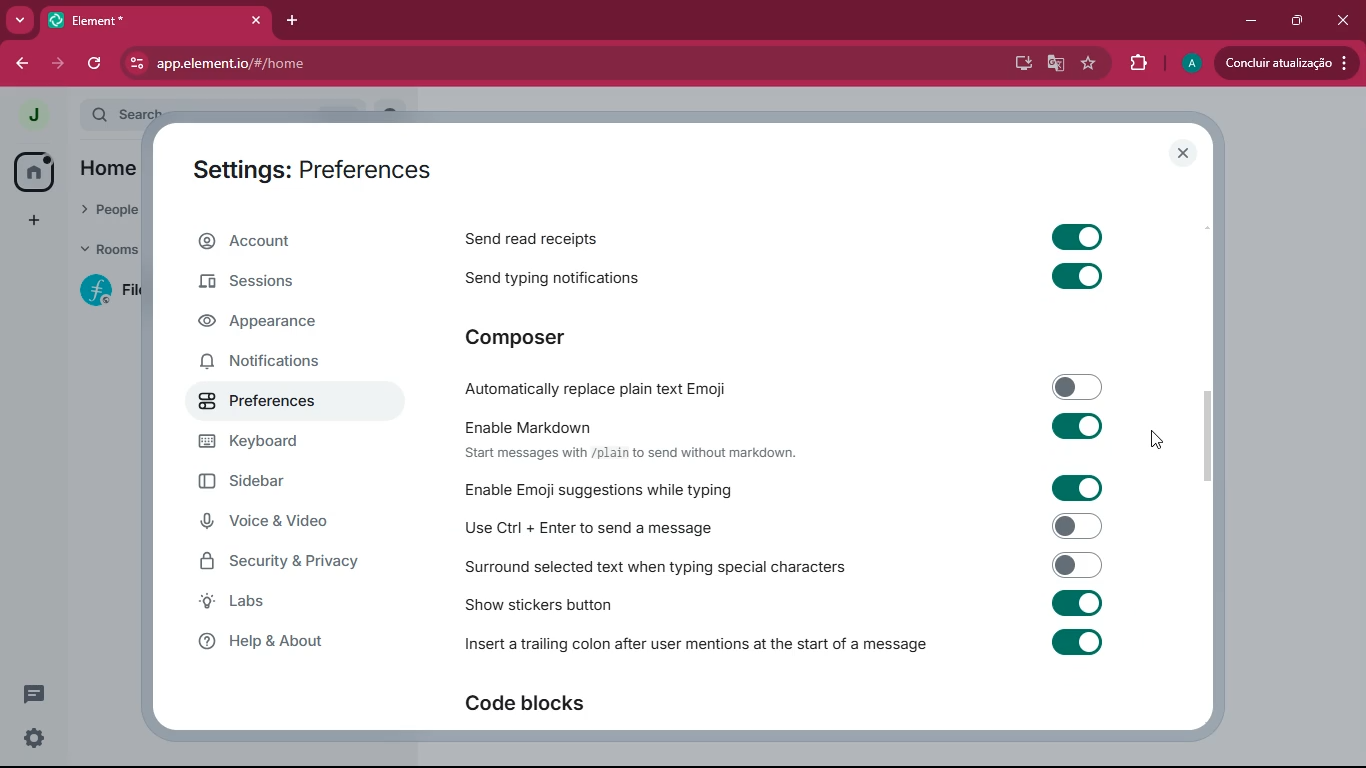 The height and width of the screenshot is (768, 1366). I want to click on surrond text, so click(656, 568).